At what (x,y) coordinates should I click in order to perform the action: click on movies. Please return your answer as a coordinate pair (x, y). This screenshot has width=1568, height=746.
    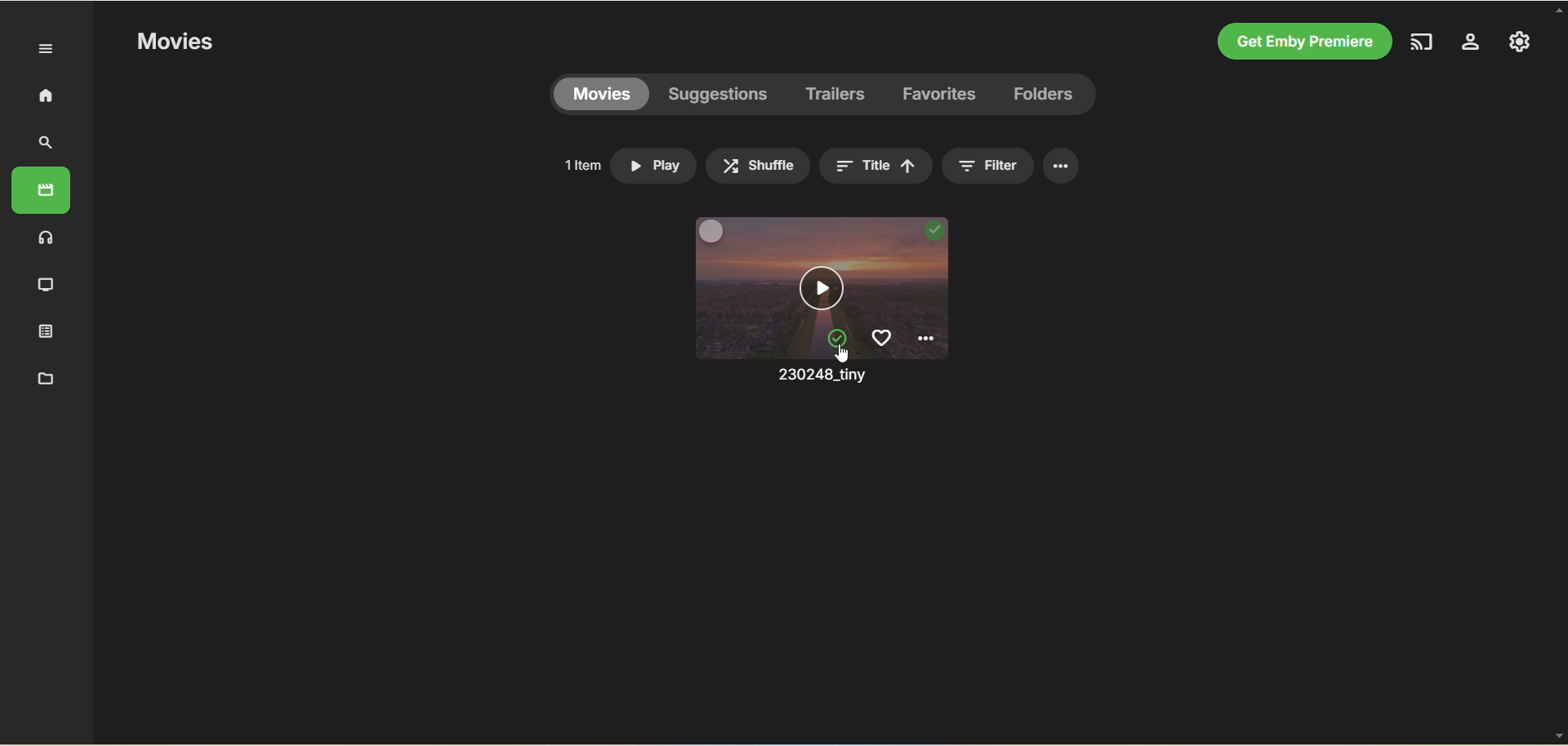
    Looking at the image, I should click on (172, 44).